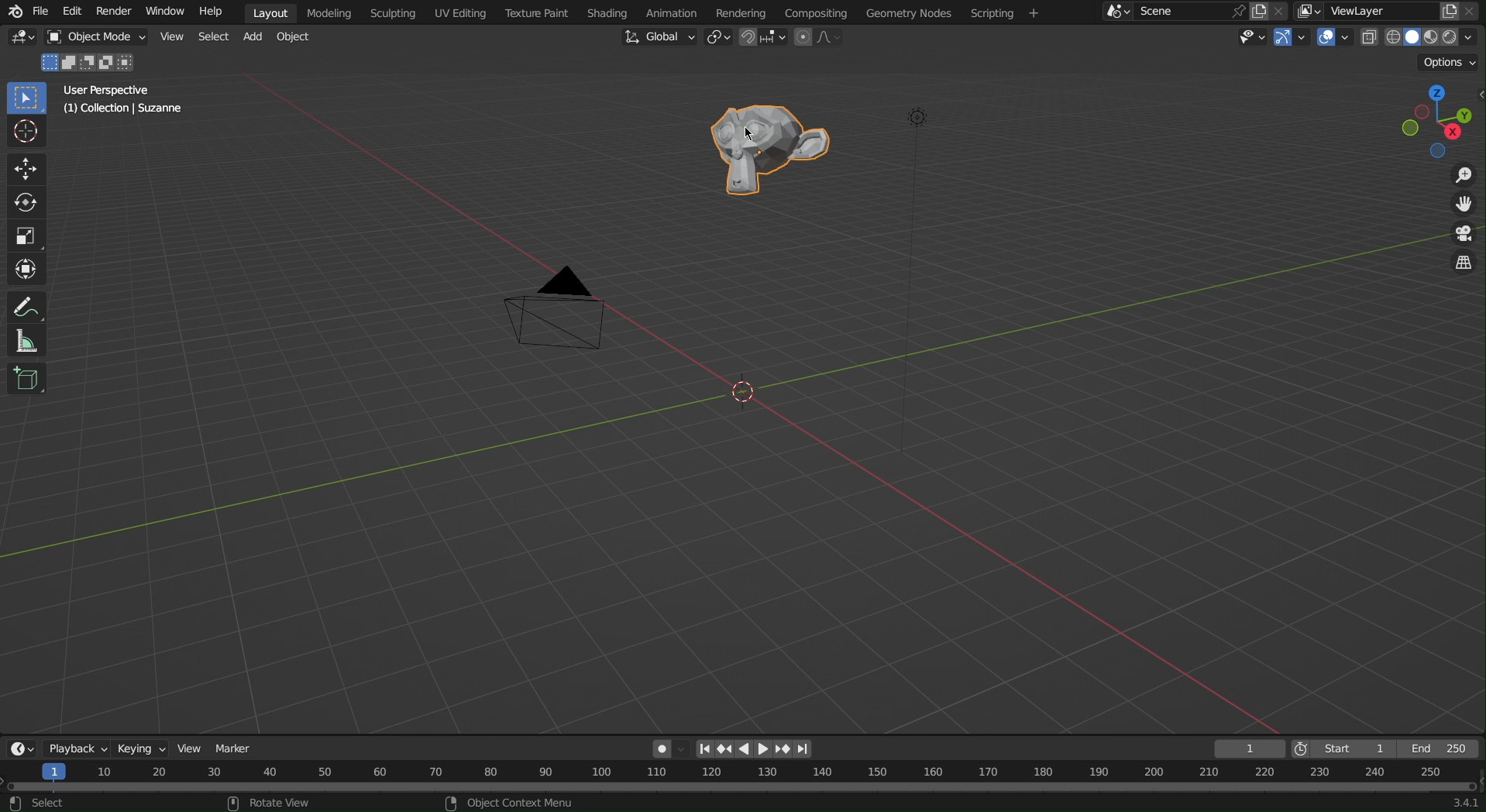  What do you see at coordinates (1450, 61) in the screenshot?
I see `Options` at bounding box center [1450, 61].